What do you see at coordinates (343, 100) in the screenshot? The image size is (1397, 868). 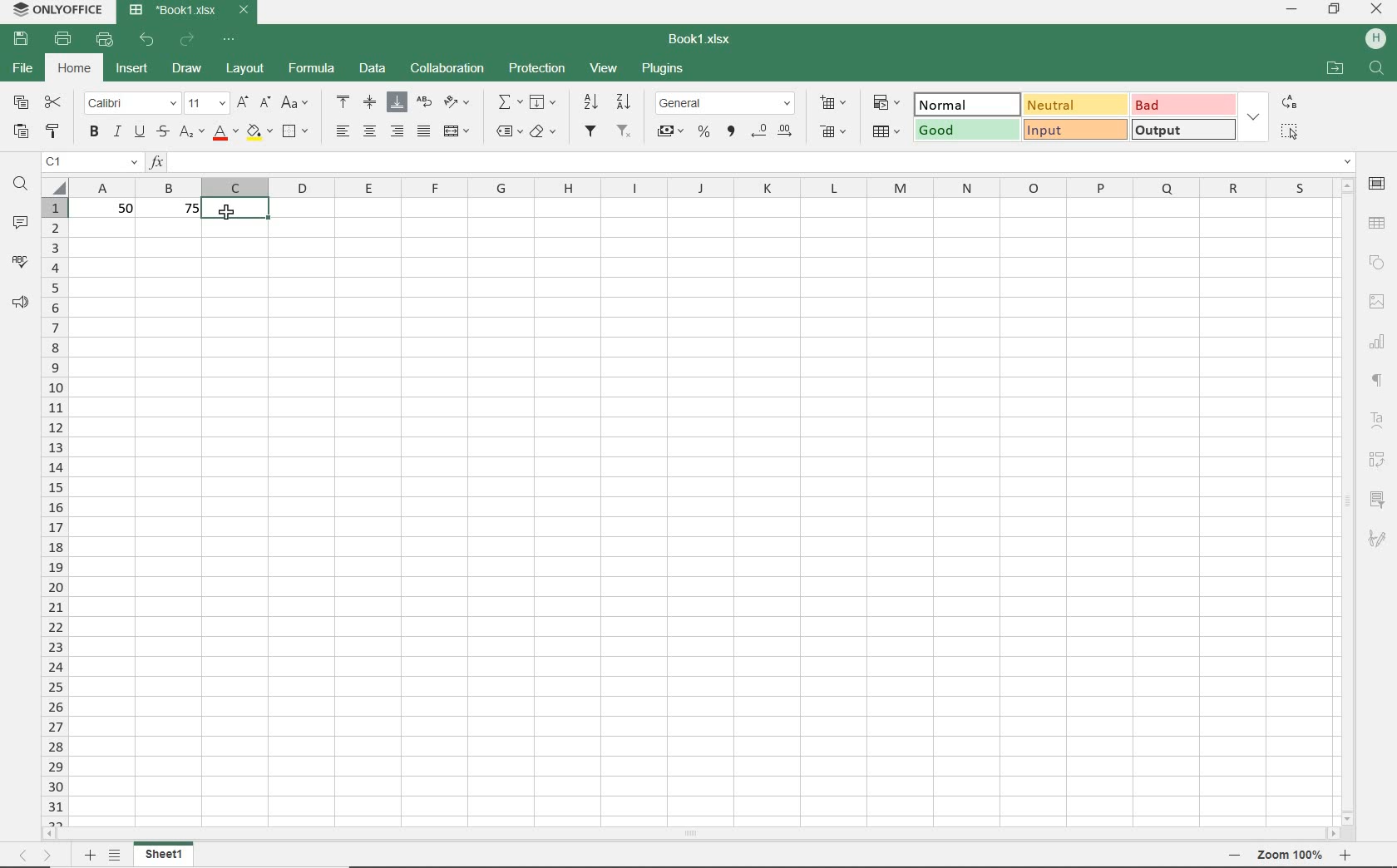 I see `align top` at bounding box center [343, 100].